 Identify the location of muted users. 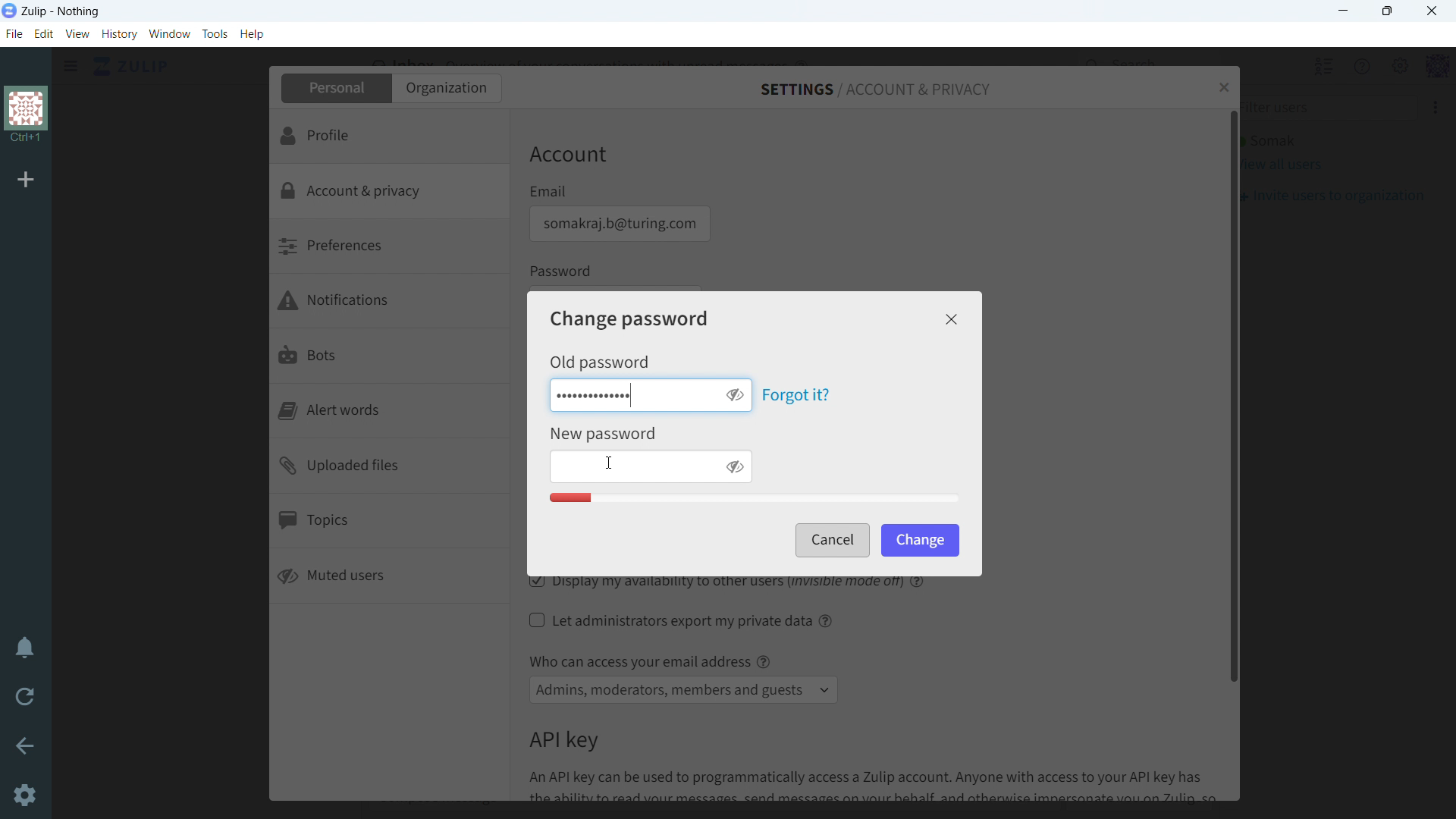
(390, 577).